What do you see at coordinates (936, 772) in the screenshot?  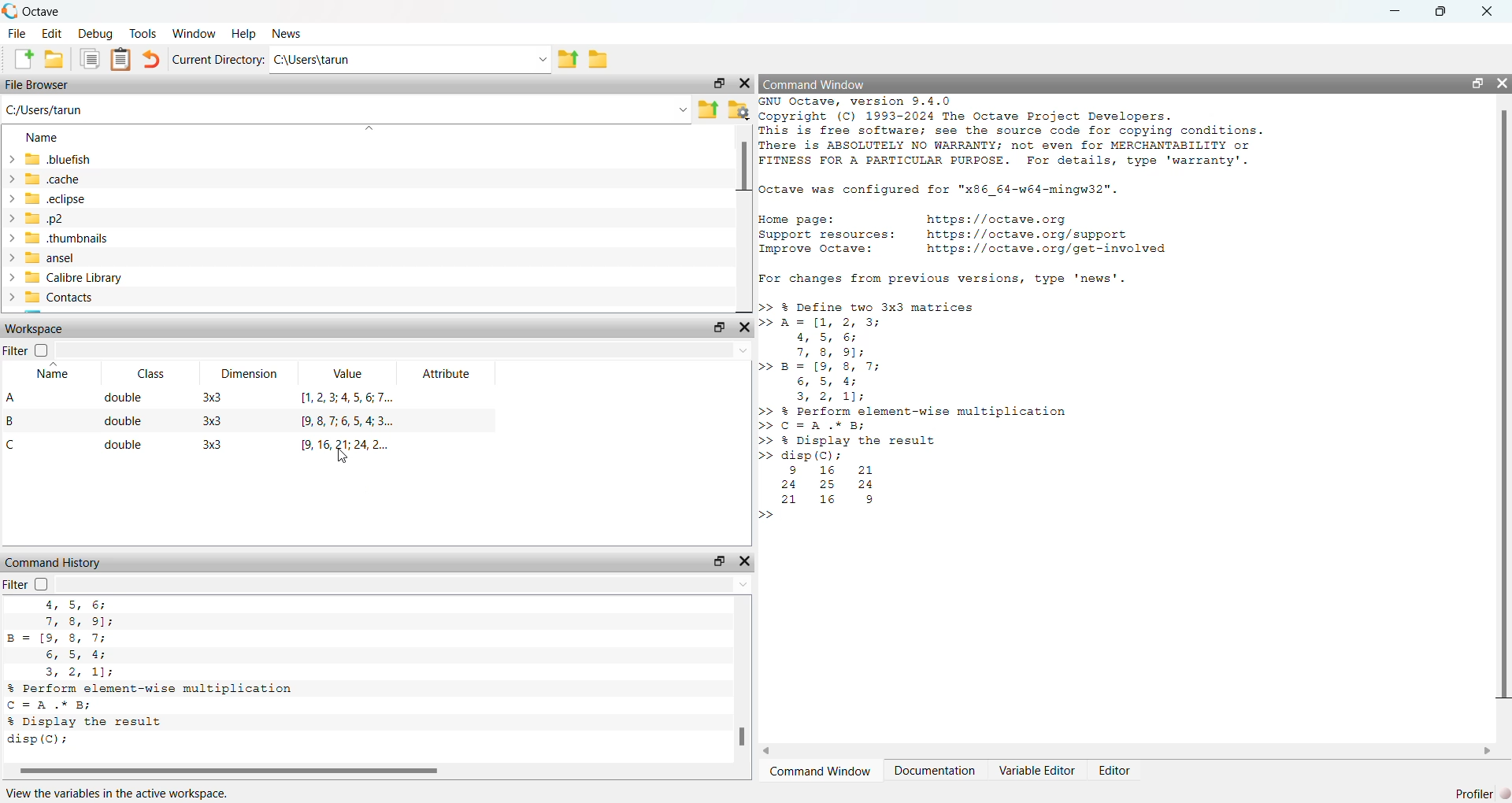 I see `Documentation` at bounding box center [936, 772].